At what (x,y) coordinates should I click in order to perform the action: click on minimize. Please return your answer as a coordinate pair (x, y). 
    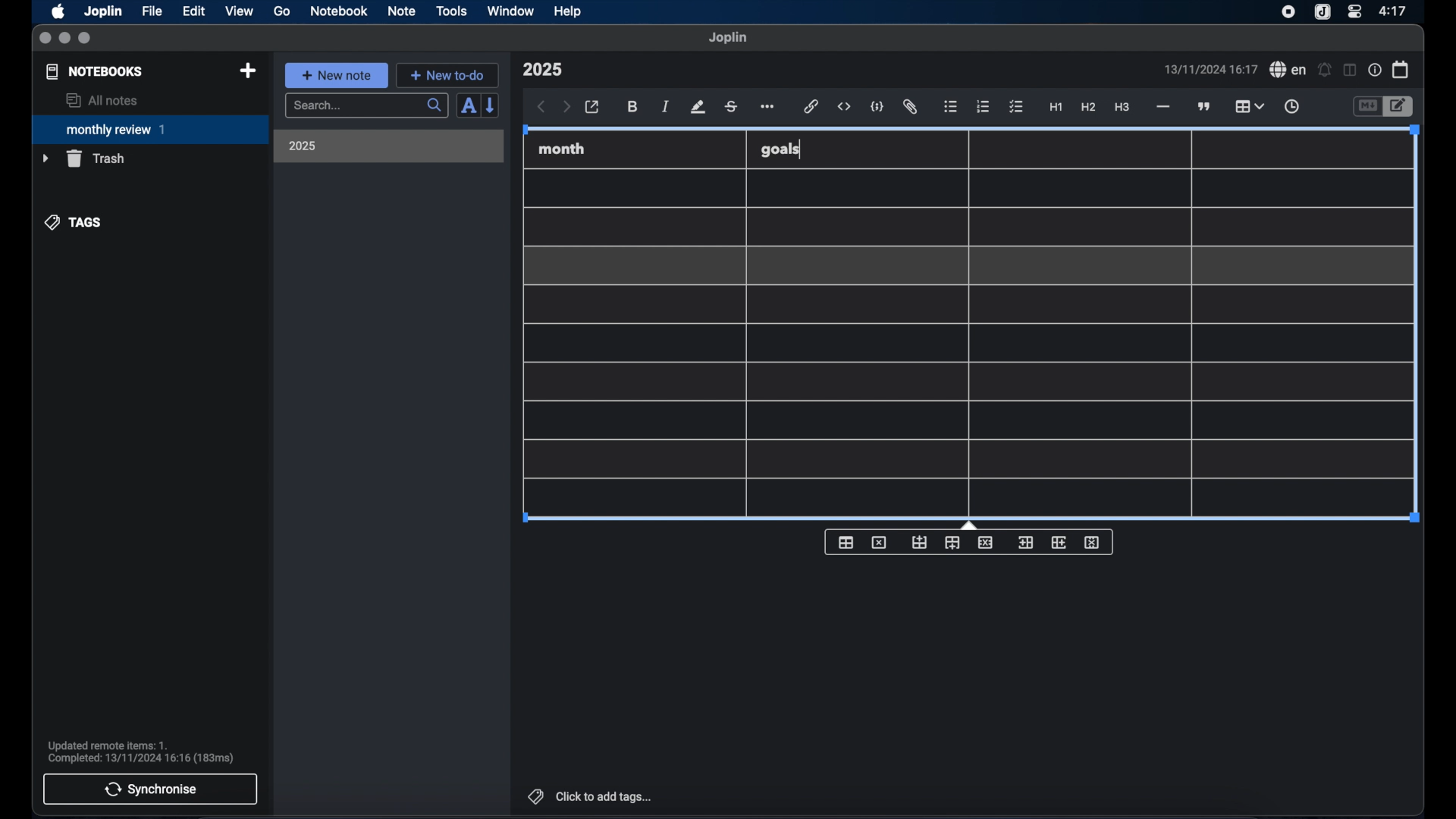
    Looking at the image, I should click on (64, 39).